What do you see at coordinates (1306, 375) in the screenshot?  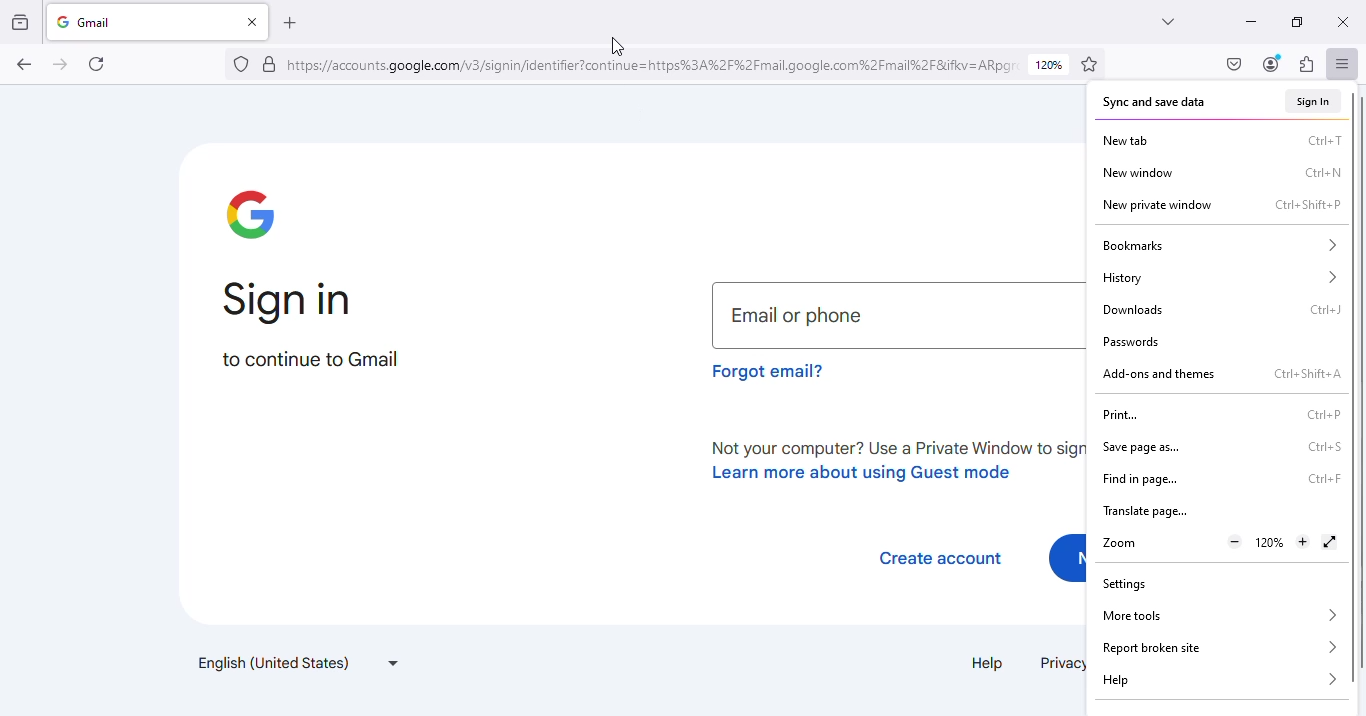 I see `shortcut for add-ons and themes` at bounding box center [1306, 375].